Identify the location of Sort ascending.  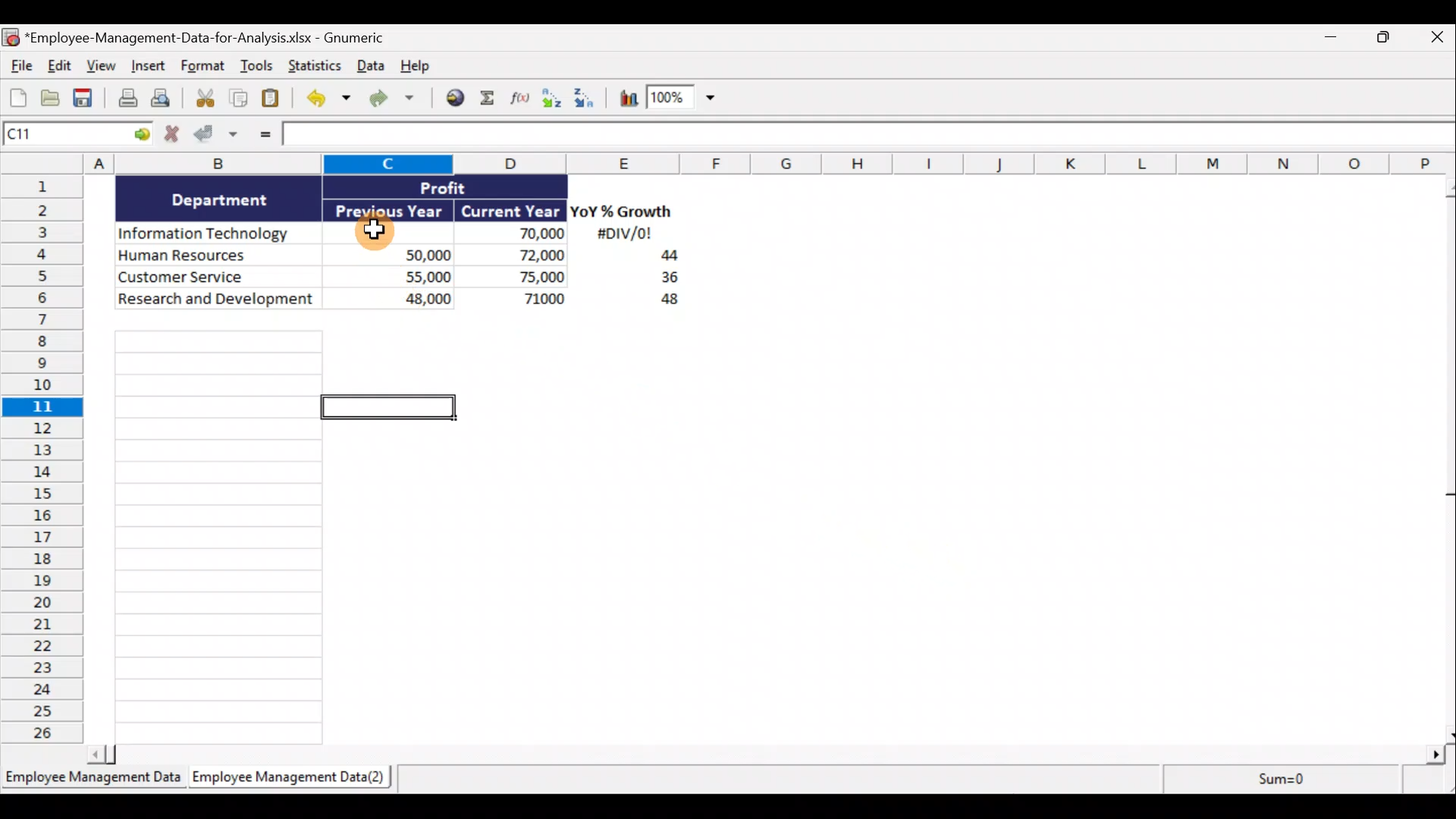
(551, 98).